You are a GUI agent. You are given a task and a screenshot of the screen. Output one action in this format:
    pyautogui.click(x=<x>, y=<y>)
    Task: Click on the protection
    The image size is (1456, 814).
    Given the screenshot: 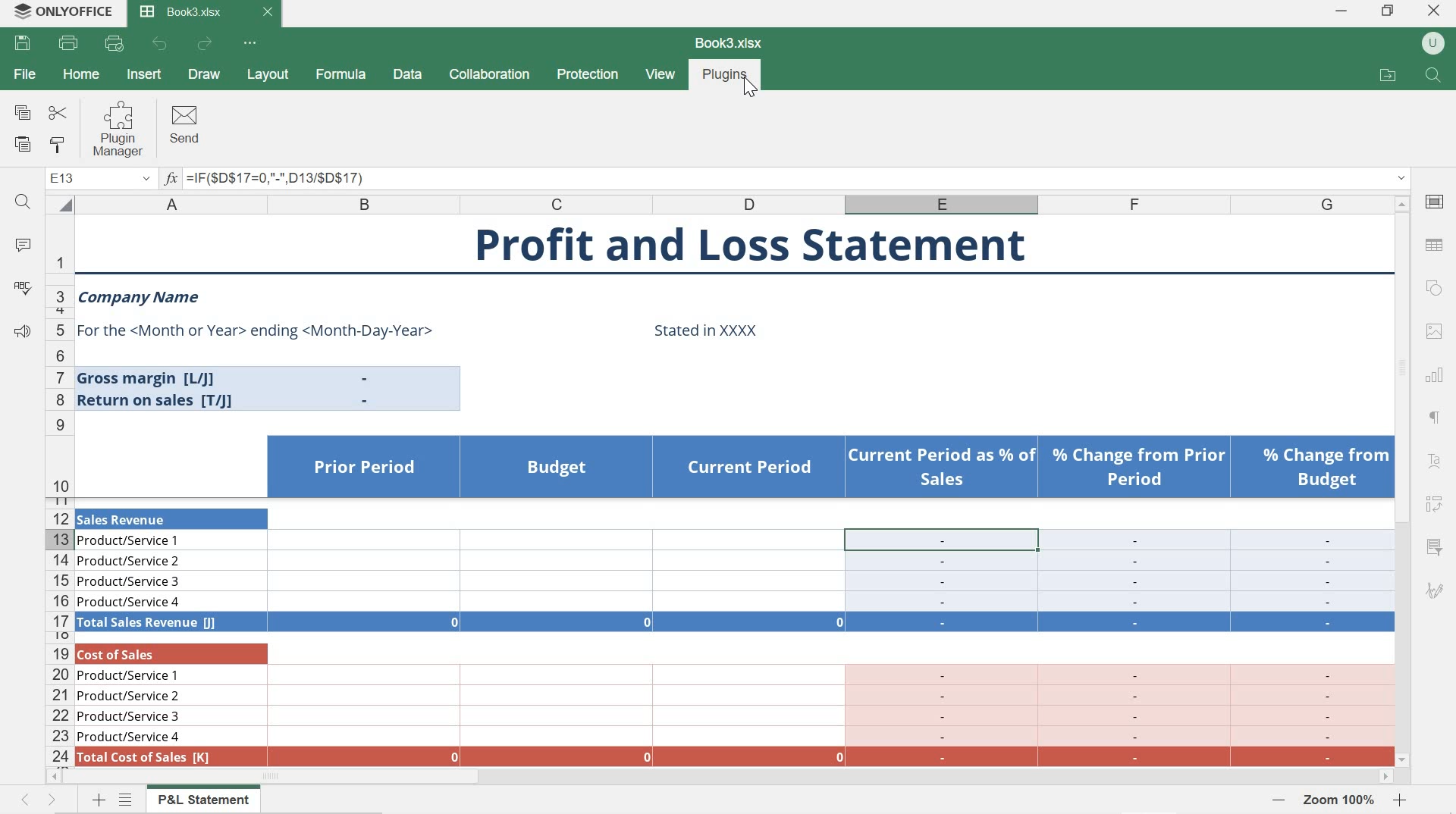 What is the action you would take?
    pyautogui.click(x=586, y=76)
    